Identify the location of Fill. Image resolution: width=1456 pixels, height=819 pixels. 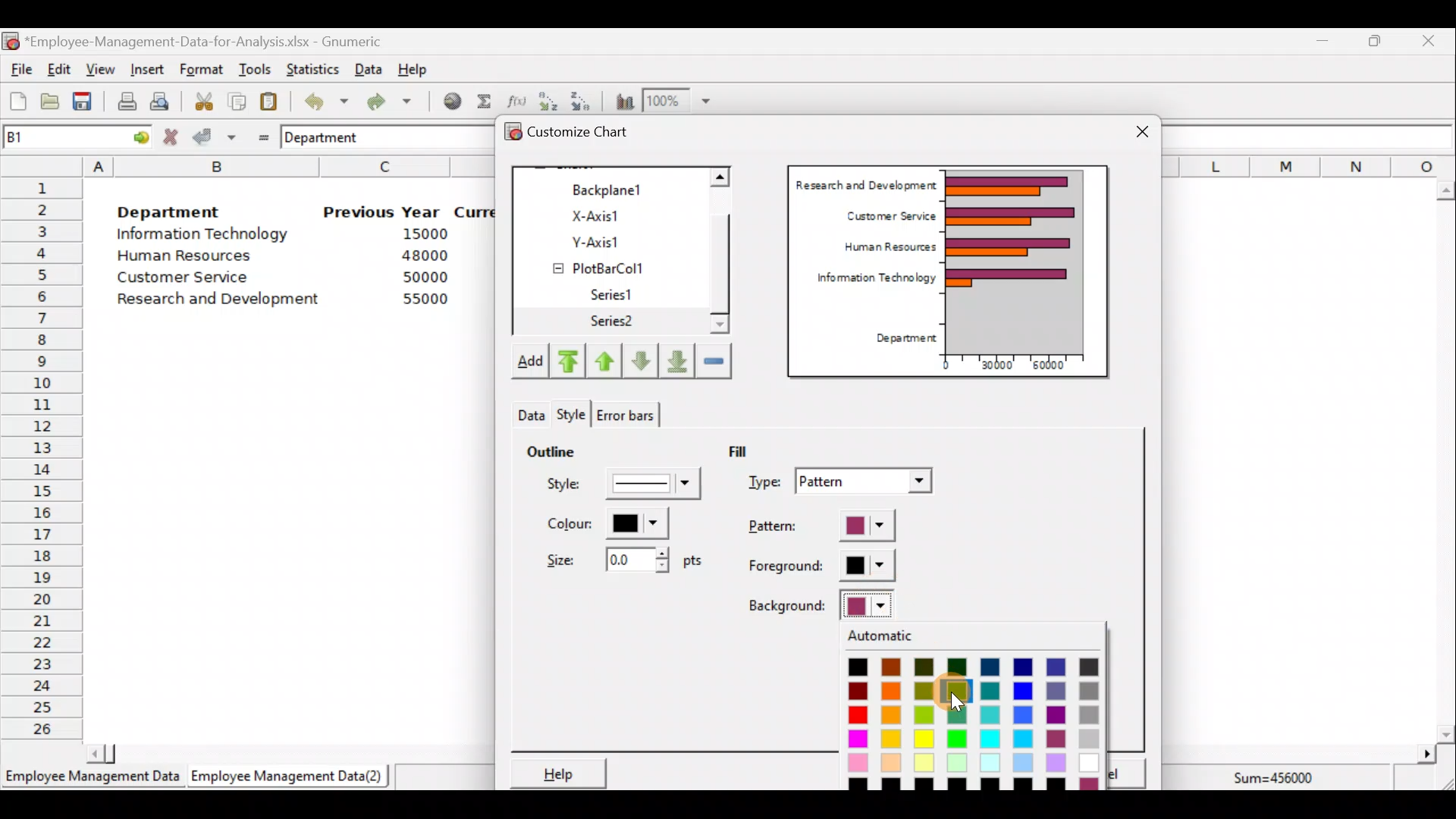
(749, 450).